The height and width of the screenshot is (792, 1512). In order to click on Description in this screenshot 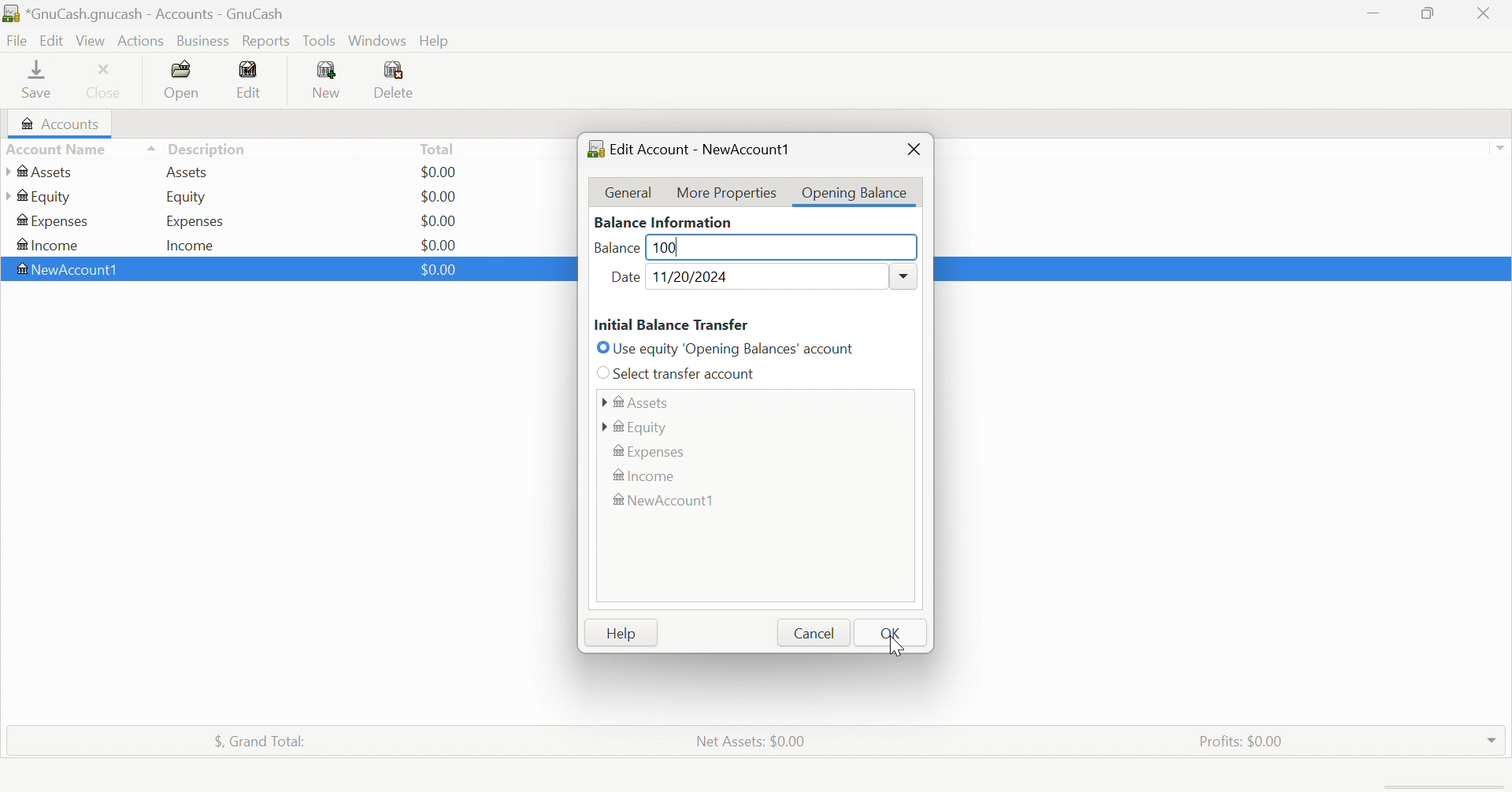, I will do `click(207, 147)`.